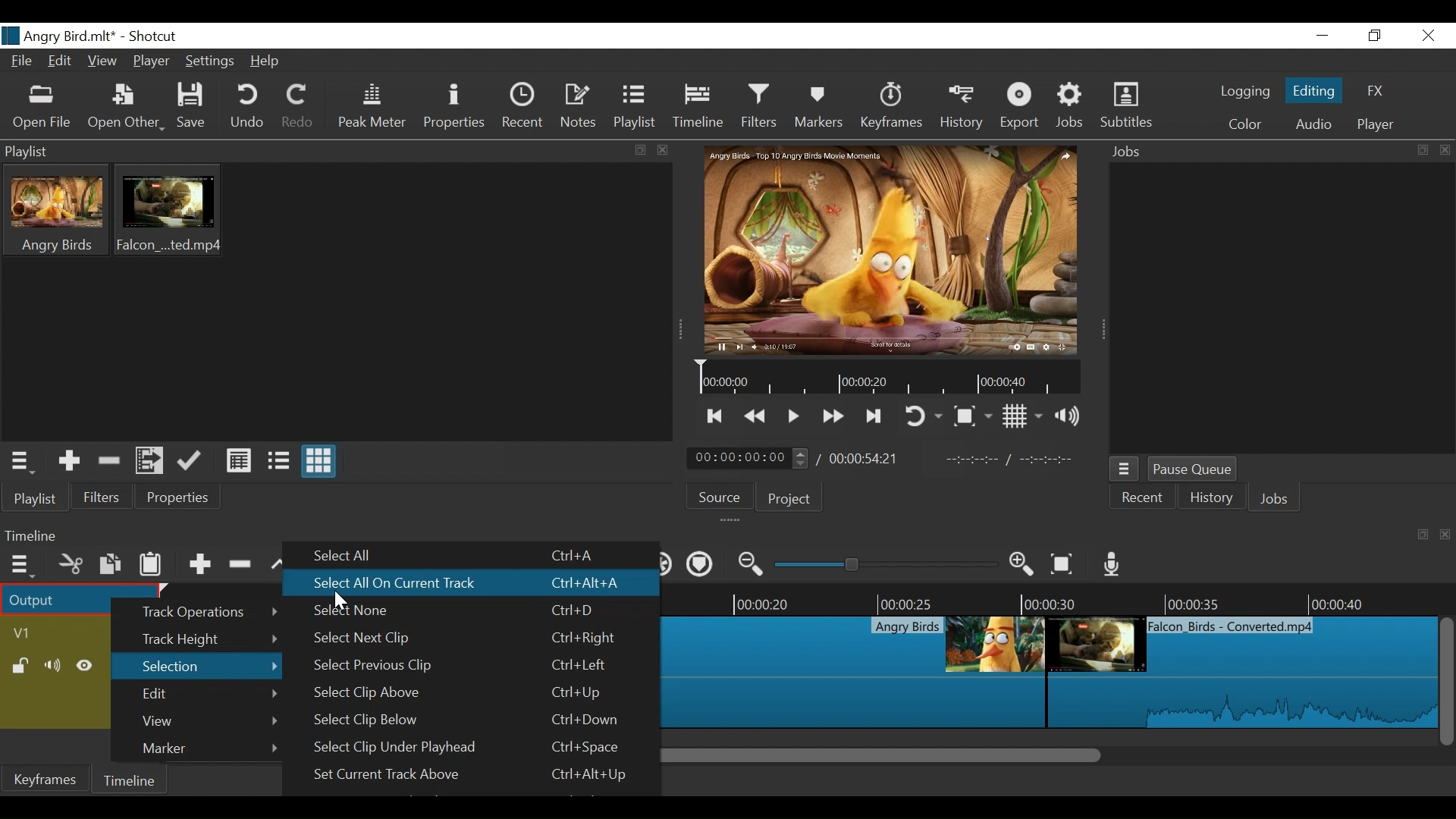 The image size is (1456, 819). What do you see at coordinates (1016, 461) in the screenshot?
I see `In point` at bounding box center [1016, 461].